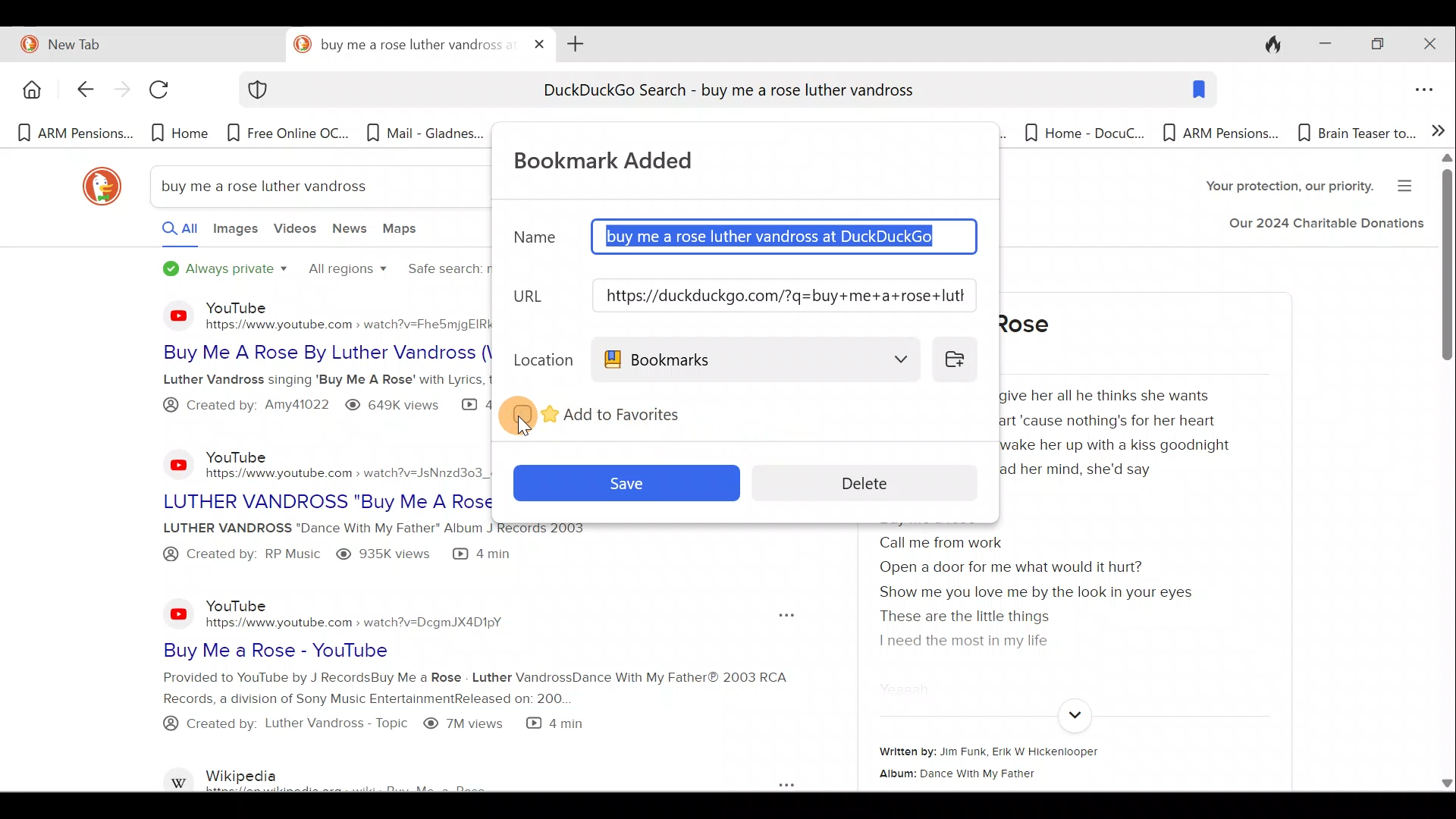 This screenshot has width=1456, height=819. I want to click on Delete, so click(877, 482).